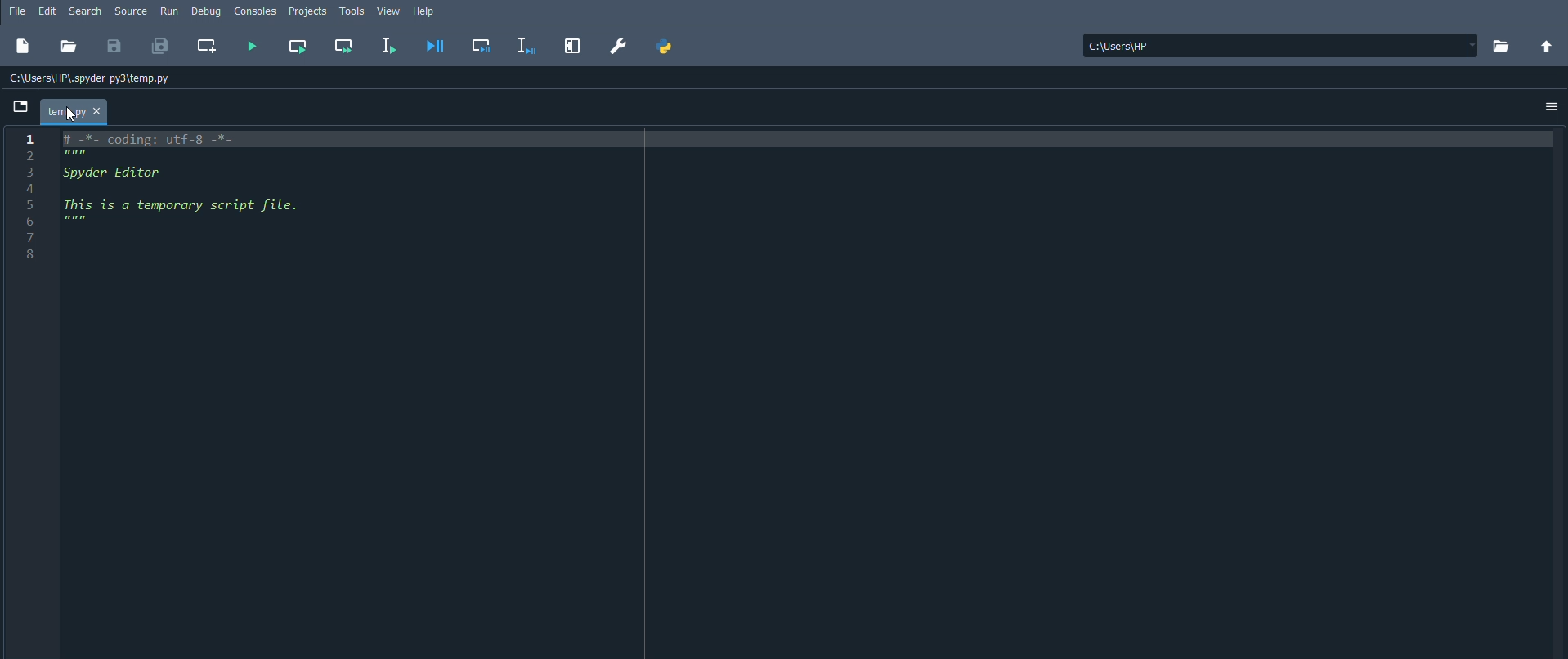  Describe the element at coordinates (388, 11) in the screenshot. I see `View` at that location.